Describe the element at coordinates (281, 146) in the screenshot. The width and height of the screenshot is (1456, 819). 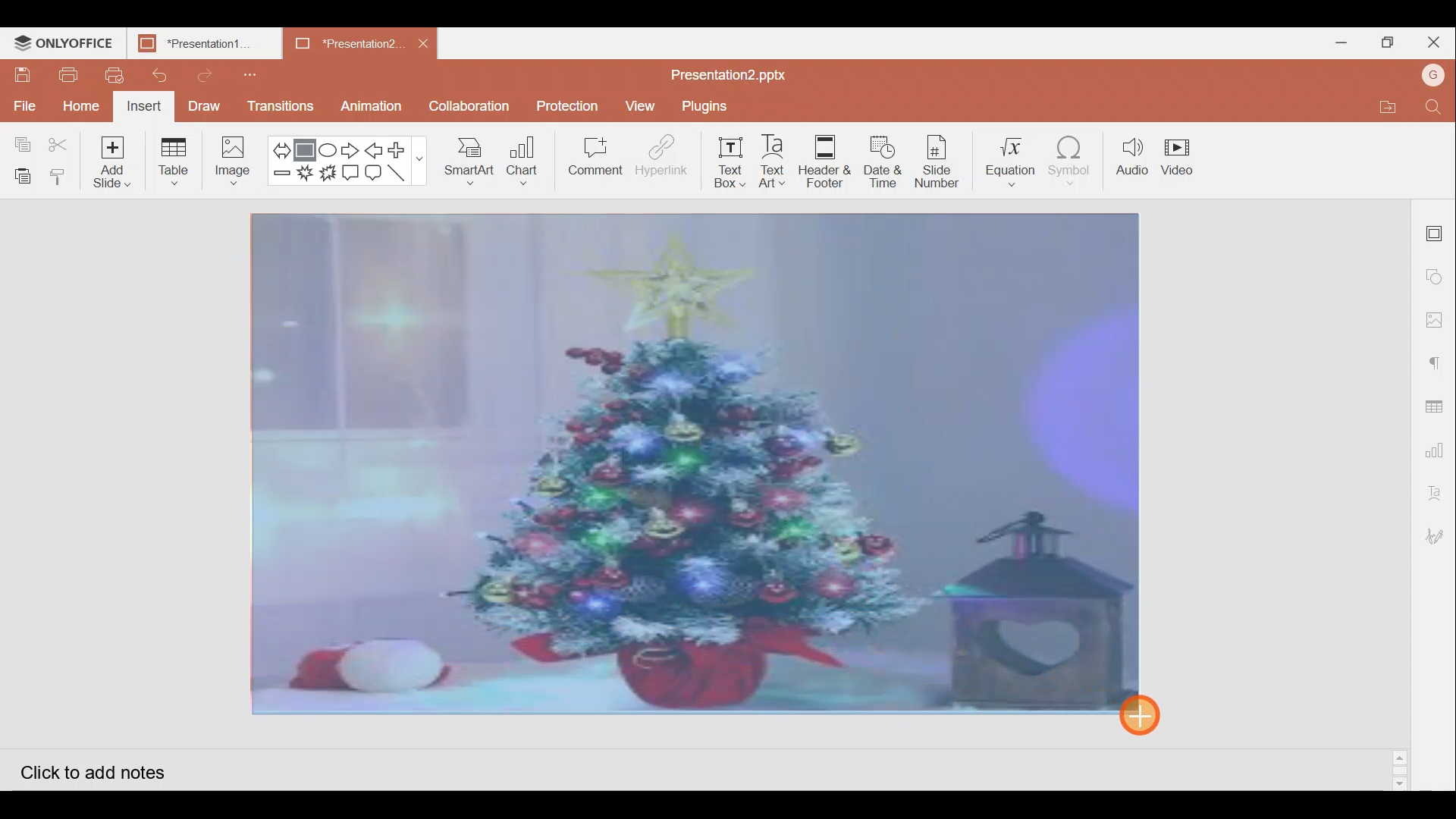
I see `Left right arrow` at that location.